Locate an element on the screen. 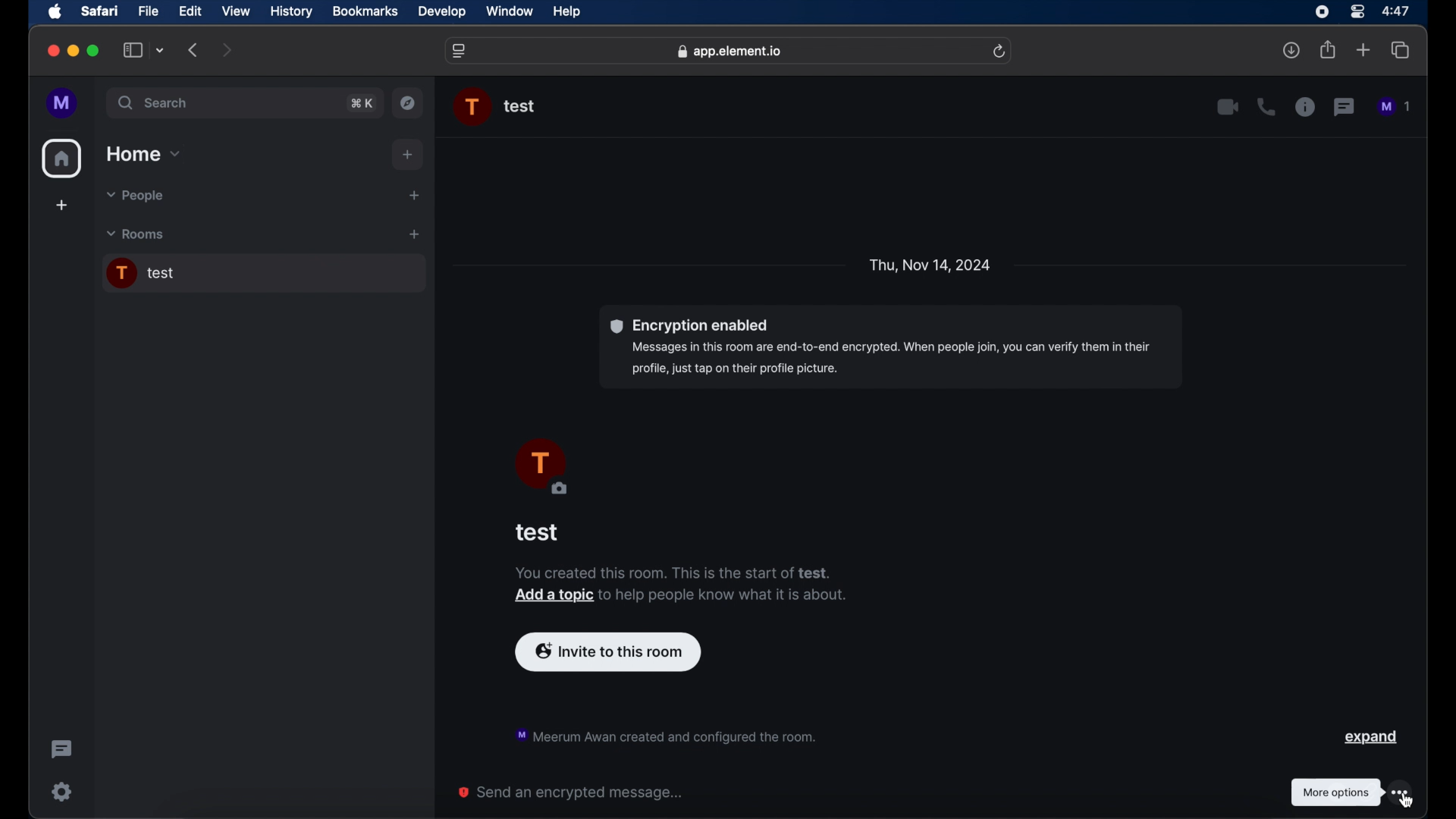 Image resolution: width=1456 pixels, height=819 pixels. more options is located at coordinates (1402, 792).